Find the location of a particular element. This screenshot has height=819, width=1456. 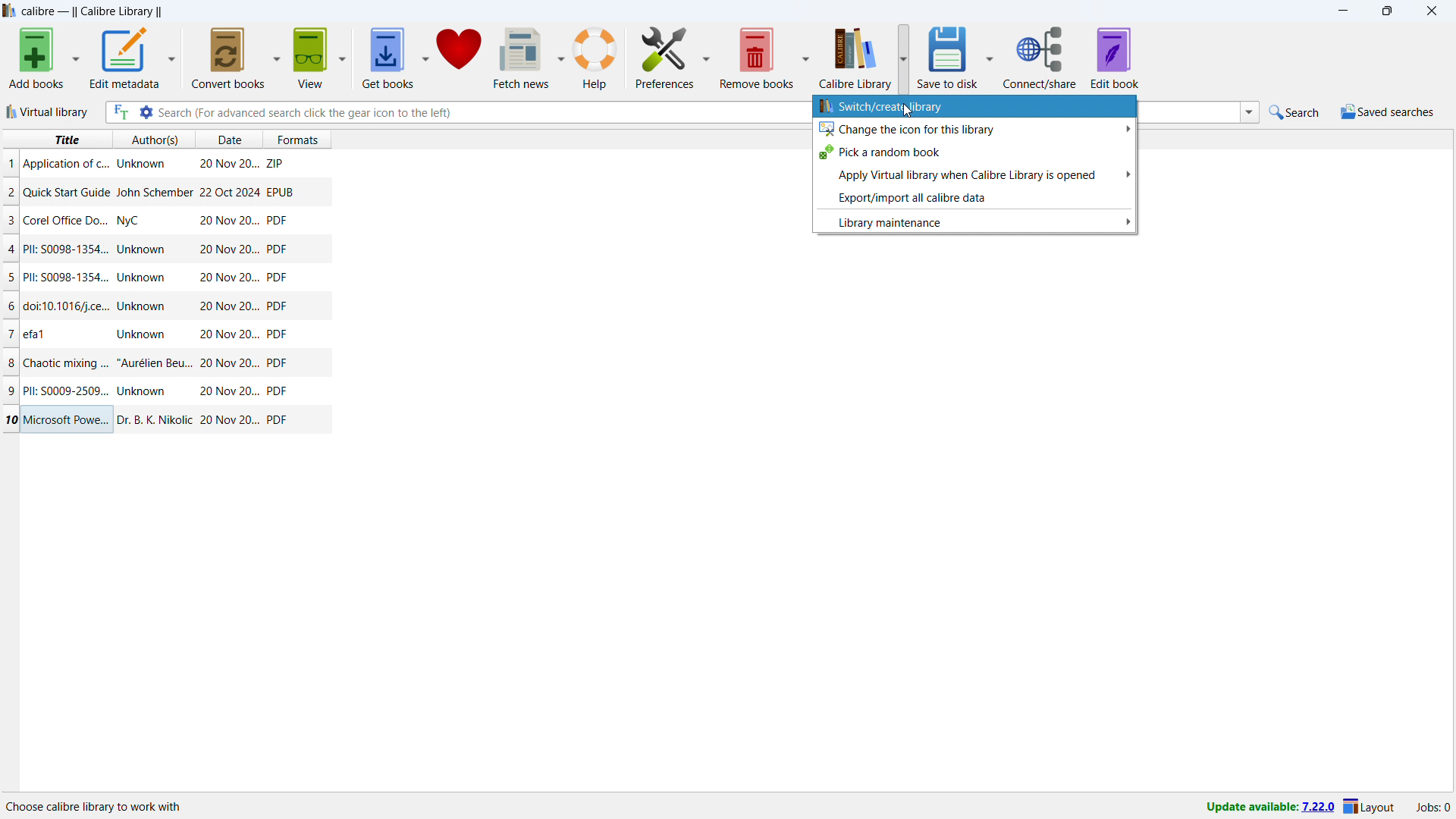

maximize is located at coordinates (1387, 11).